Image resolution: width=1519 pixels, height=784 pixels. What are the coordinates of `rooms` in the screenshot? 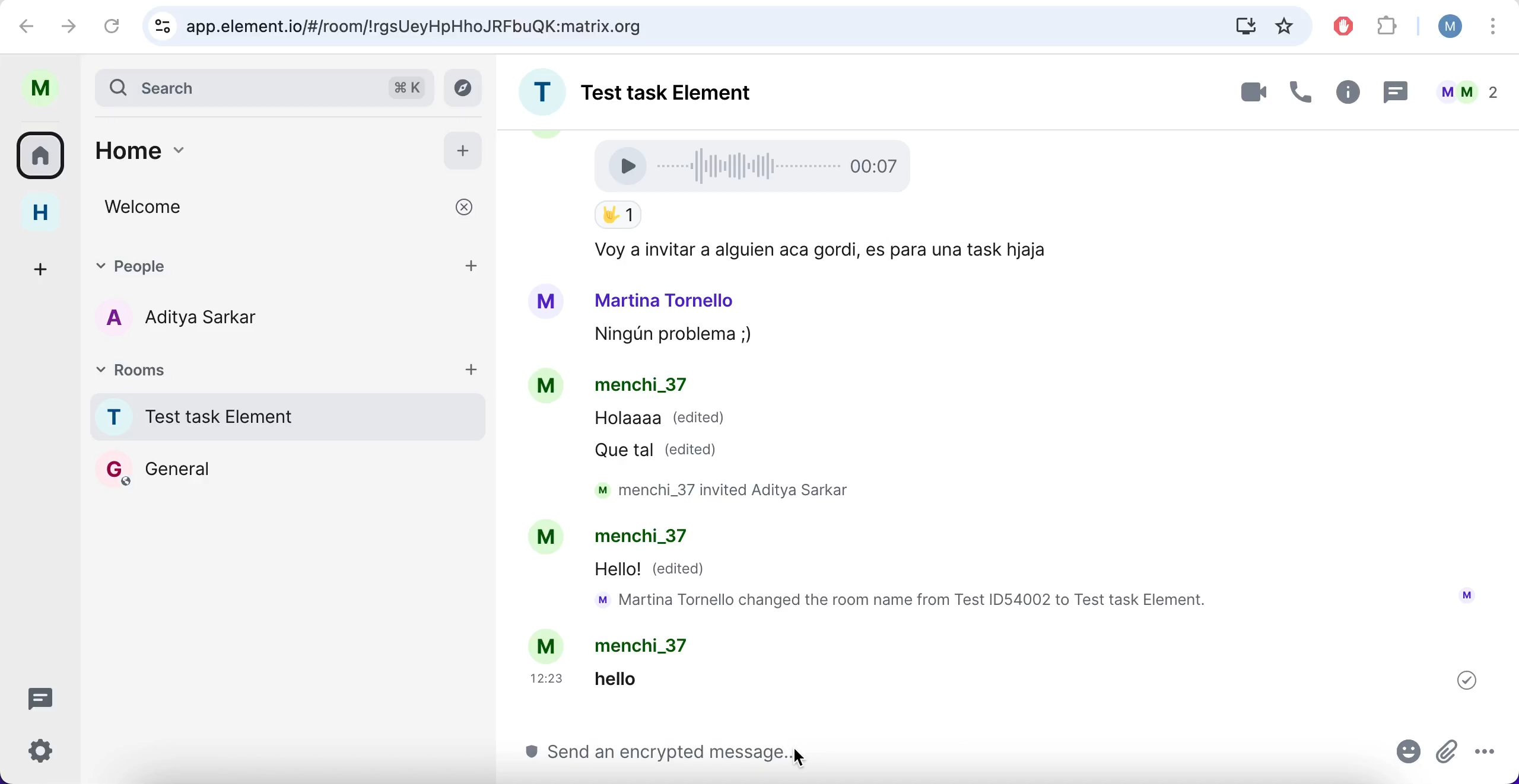 It's located at (45, 154).